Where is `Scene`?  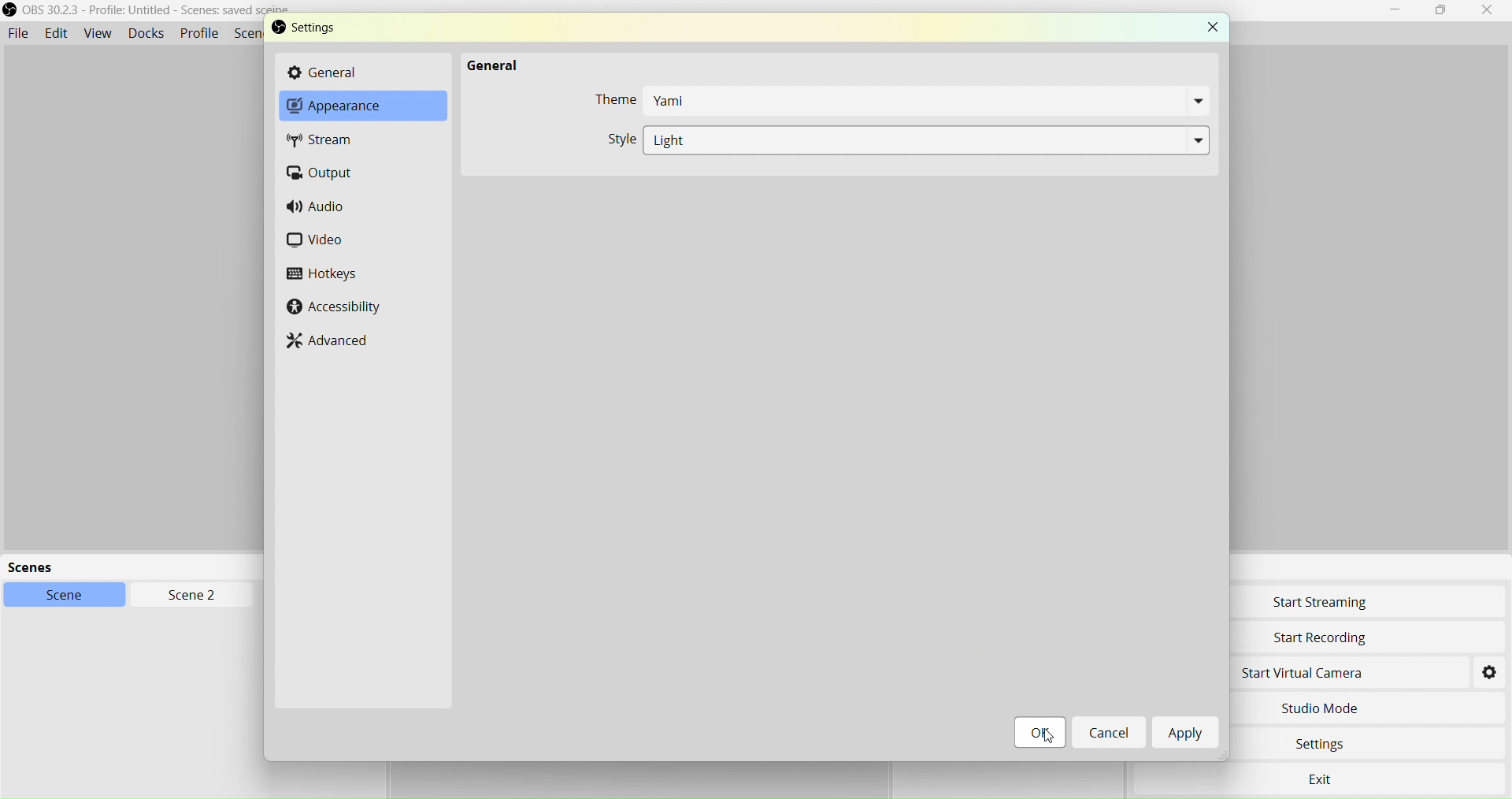
Scene is located at coordinates (62, 595).